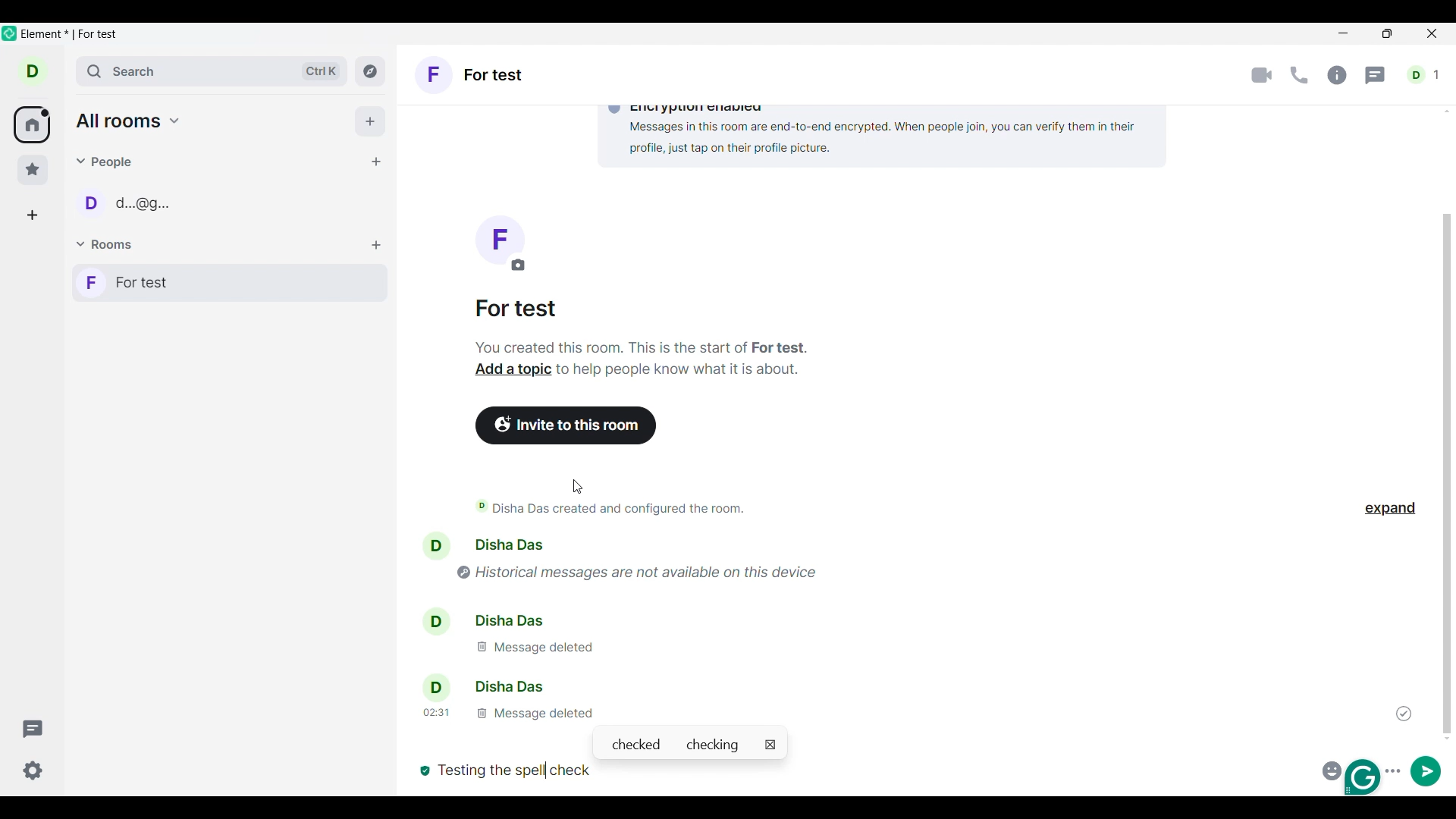 The width and height of the screenshot is (1456, 819). What do you see at coordinates (487, 687) in the screenshot?
I see `disha das` at bounding box center [487, 687].